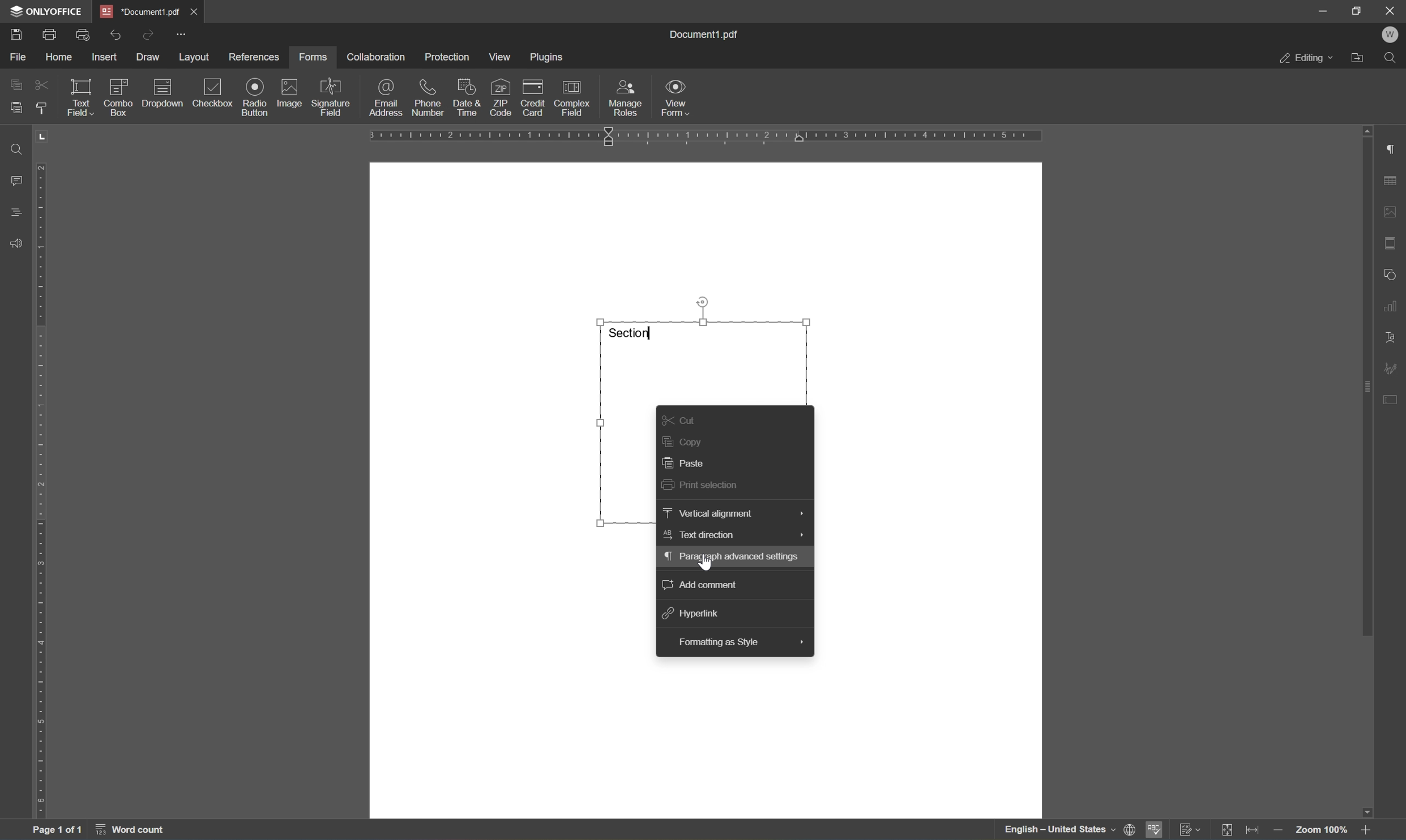  Describe the element at coordinates (549, 58) in the screenshot. I see `plugins` at that location.